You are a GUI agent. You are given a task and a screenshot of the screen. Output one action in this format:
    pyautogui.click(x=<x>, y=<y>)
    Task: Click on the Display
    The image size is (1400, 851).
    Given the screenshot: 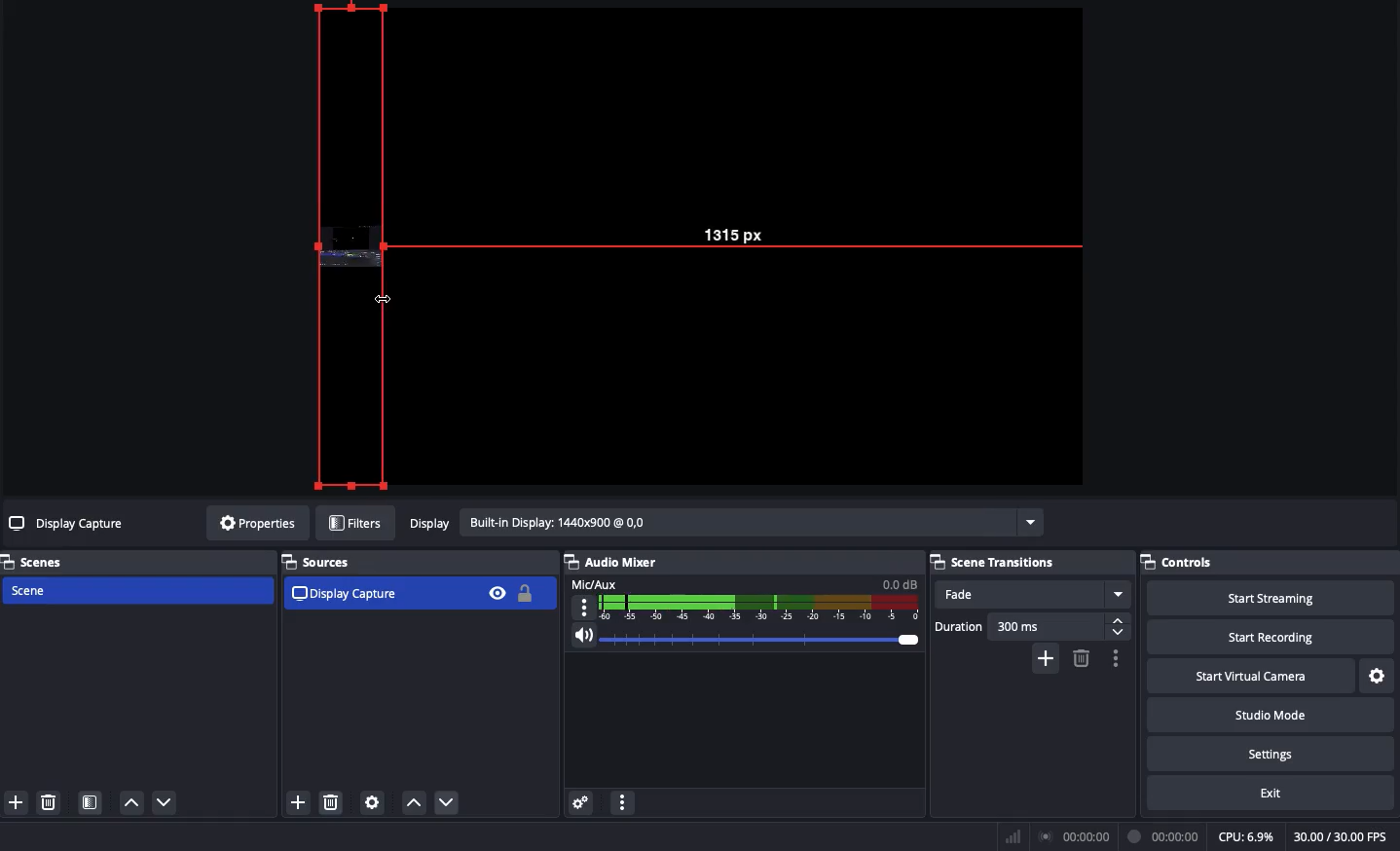 What is the action you would take?
    pyautogui.click(x=723, y=525)
    